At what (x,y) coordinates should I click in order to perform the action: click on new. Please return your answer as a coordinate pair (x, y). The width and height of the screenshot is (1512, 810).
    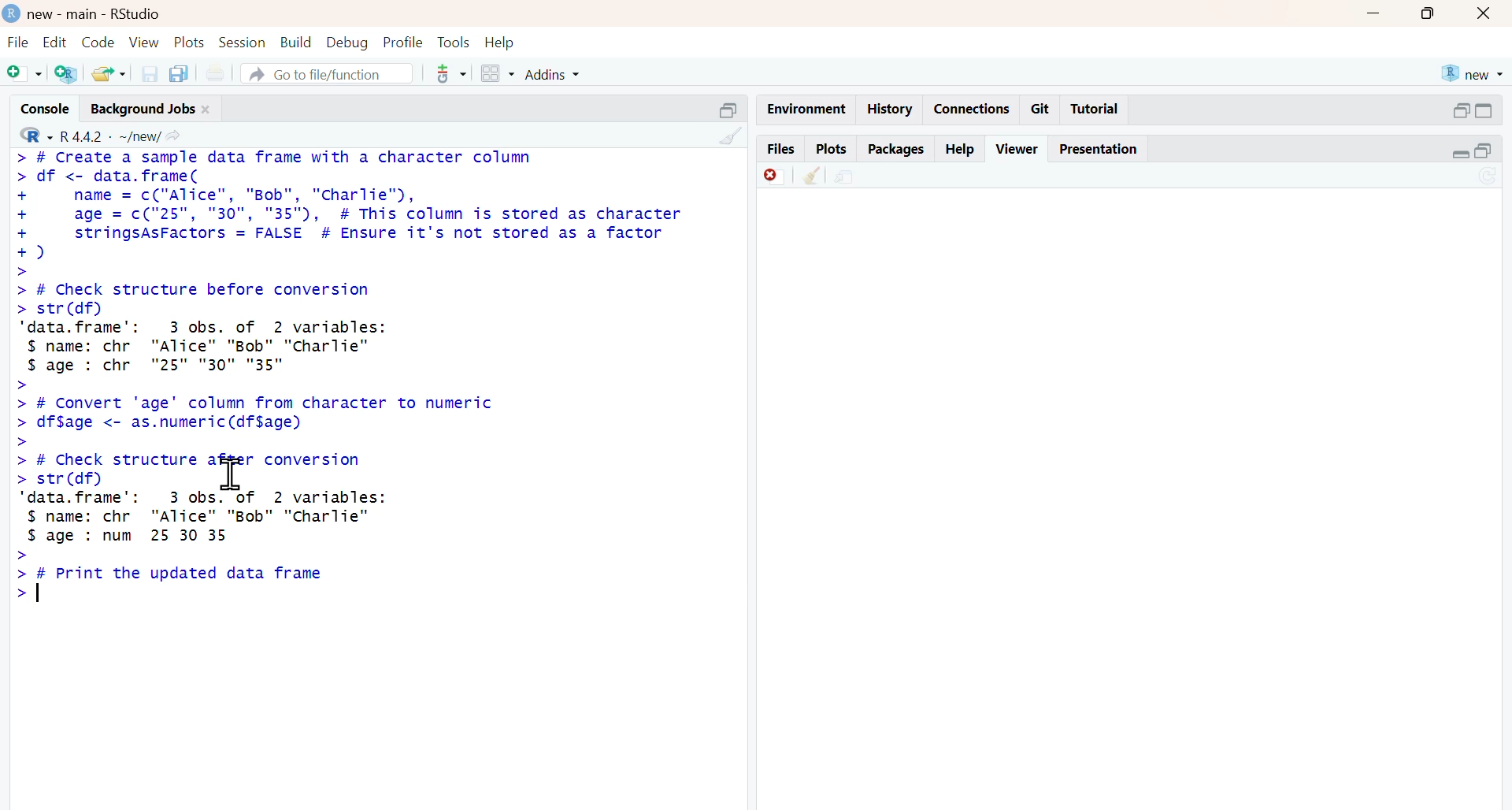
    Looking at the image, I should click on (1473, 73).